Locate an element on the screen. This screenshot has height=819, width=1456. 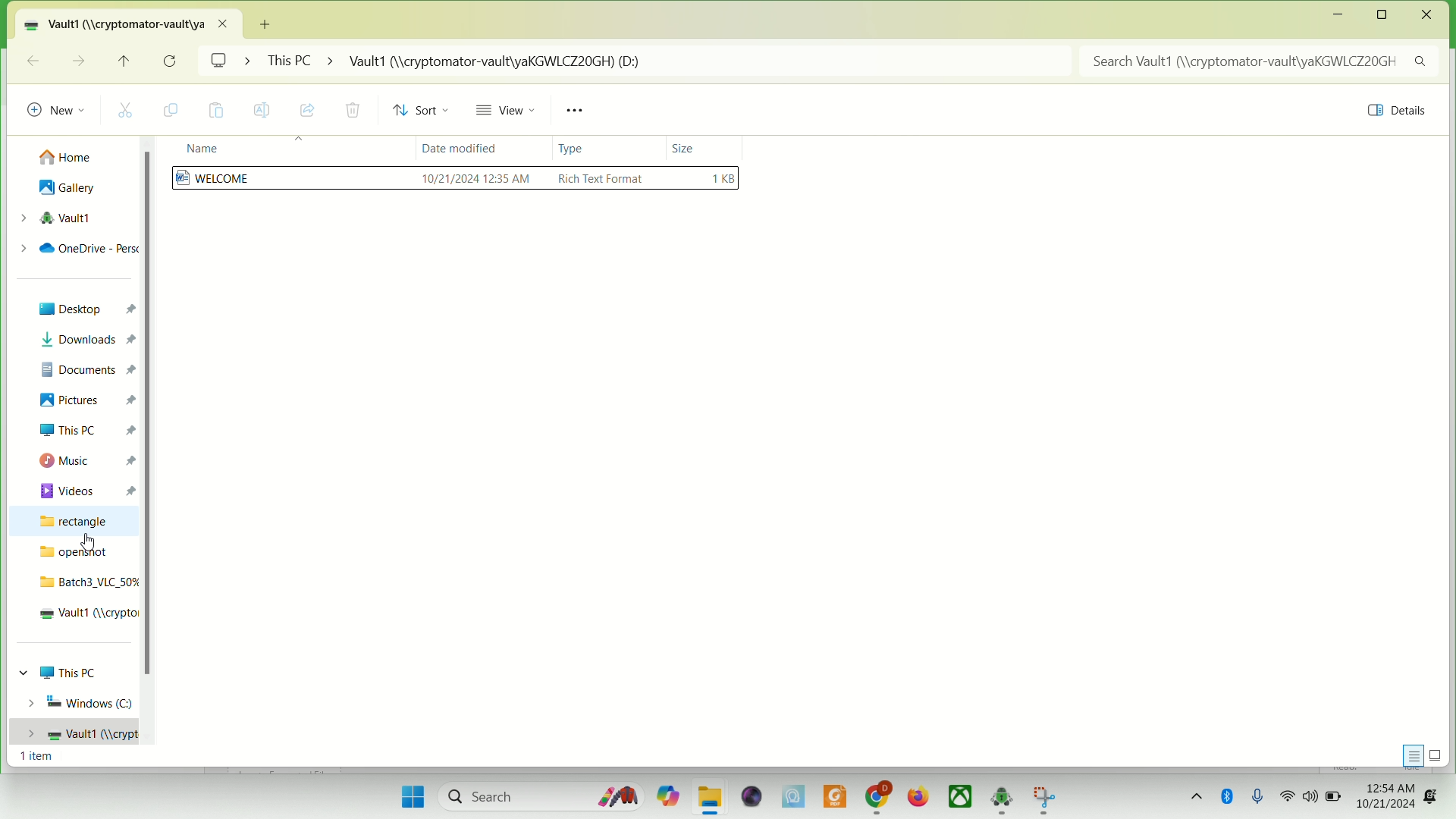
Windows (C) is located at coordinates (80, 701).